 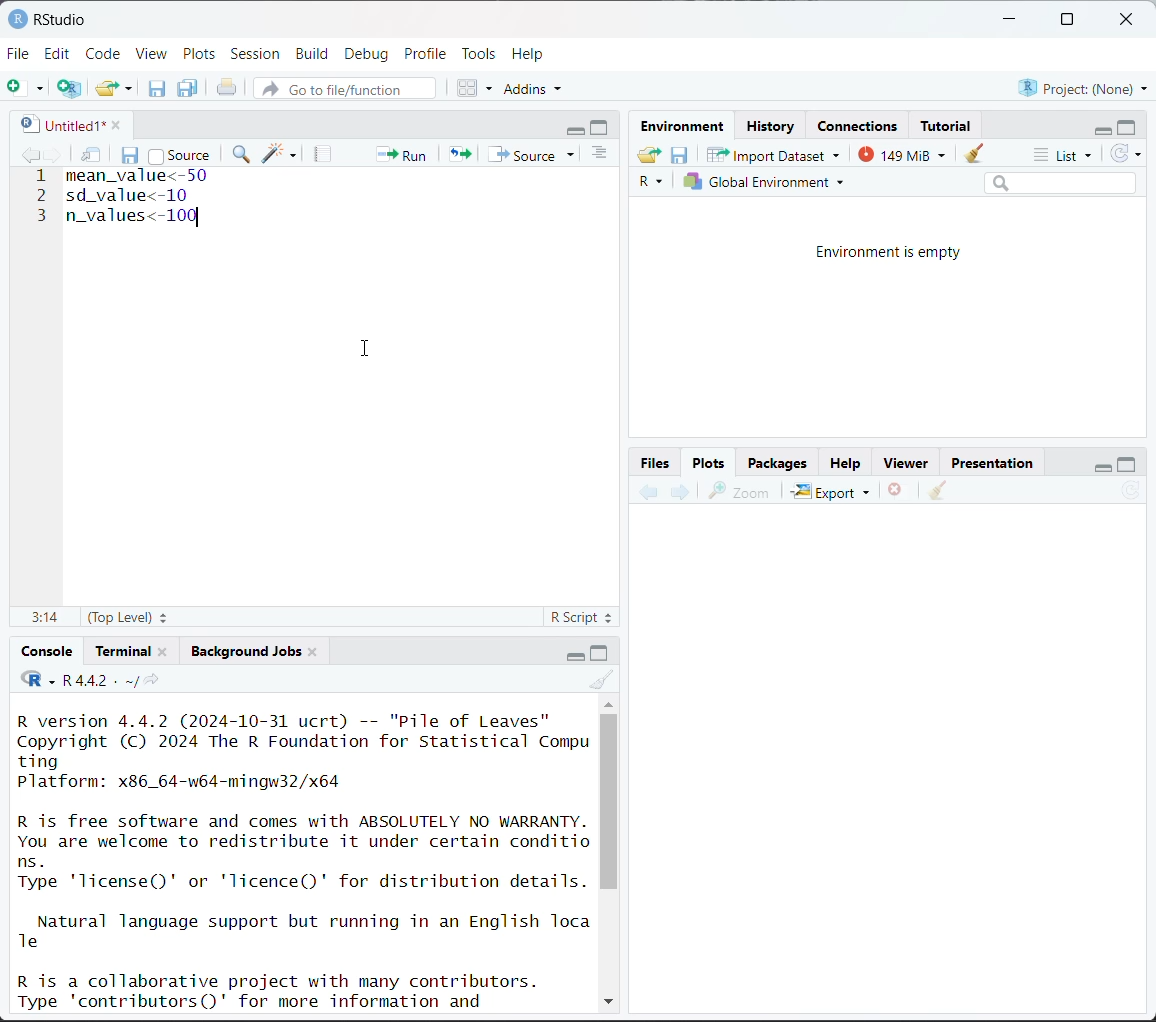 What do you see at coordinates (25, 88) in the screenshot?
I see `new file` at bounding box center [25, 88].